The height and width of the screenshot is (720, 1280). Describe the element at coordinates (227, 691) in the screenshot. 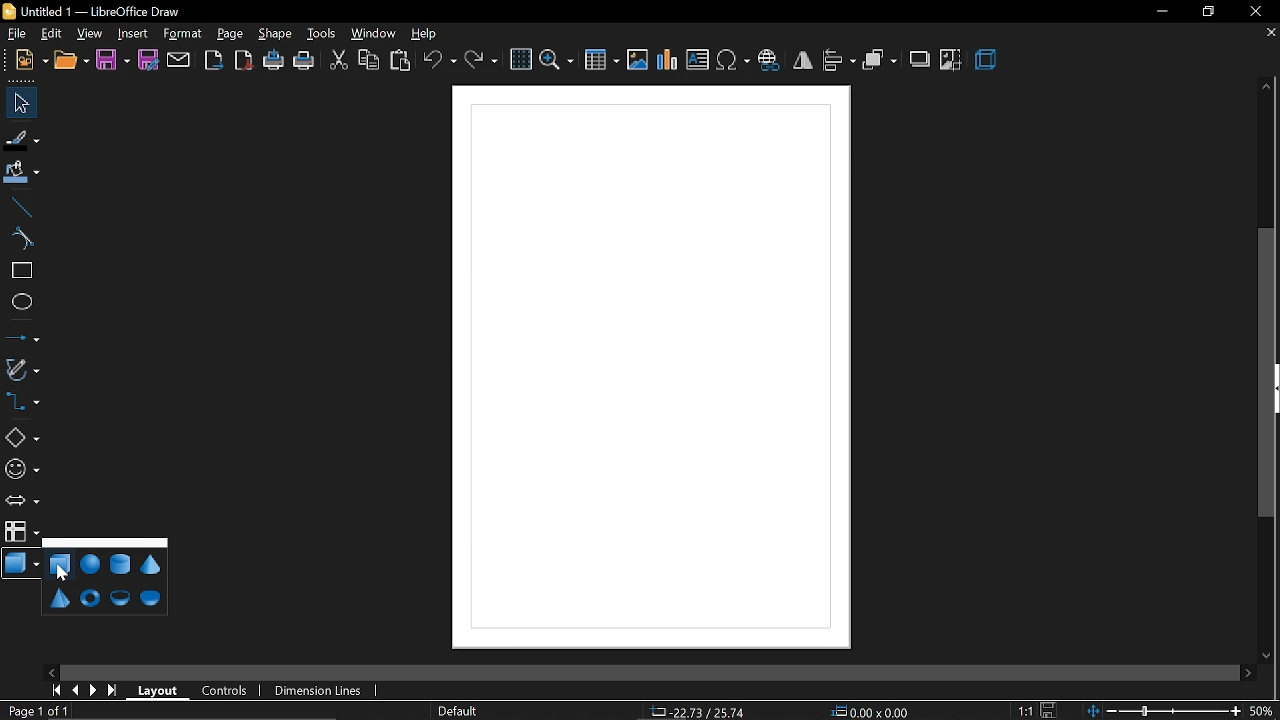

I see `controls` at that location.